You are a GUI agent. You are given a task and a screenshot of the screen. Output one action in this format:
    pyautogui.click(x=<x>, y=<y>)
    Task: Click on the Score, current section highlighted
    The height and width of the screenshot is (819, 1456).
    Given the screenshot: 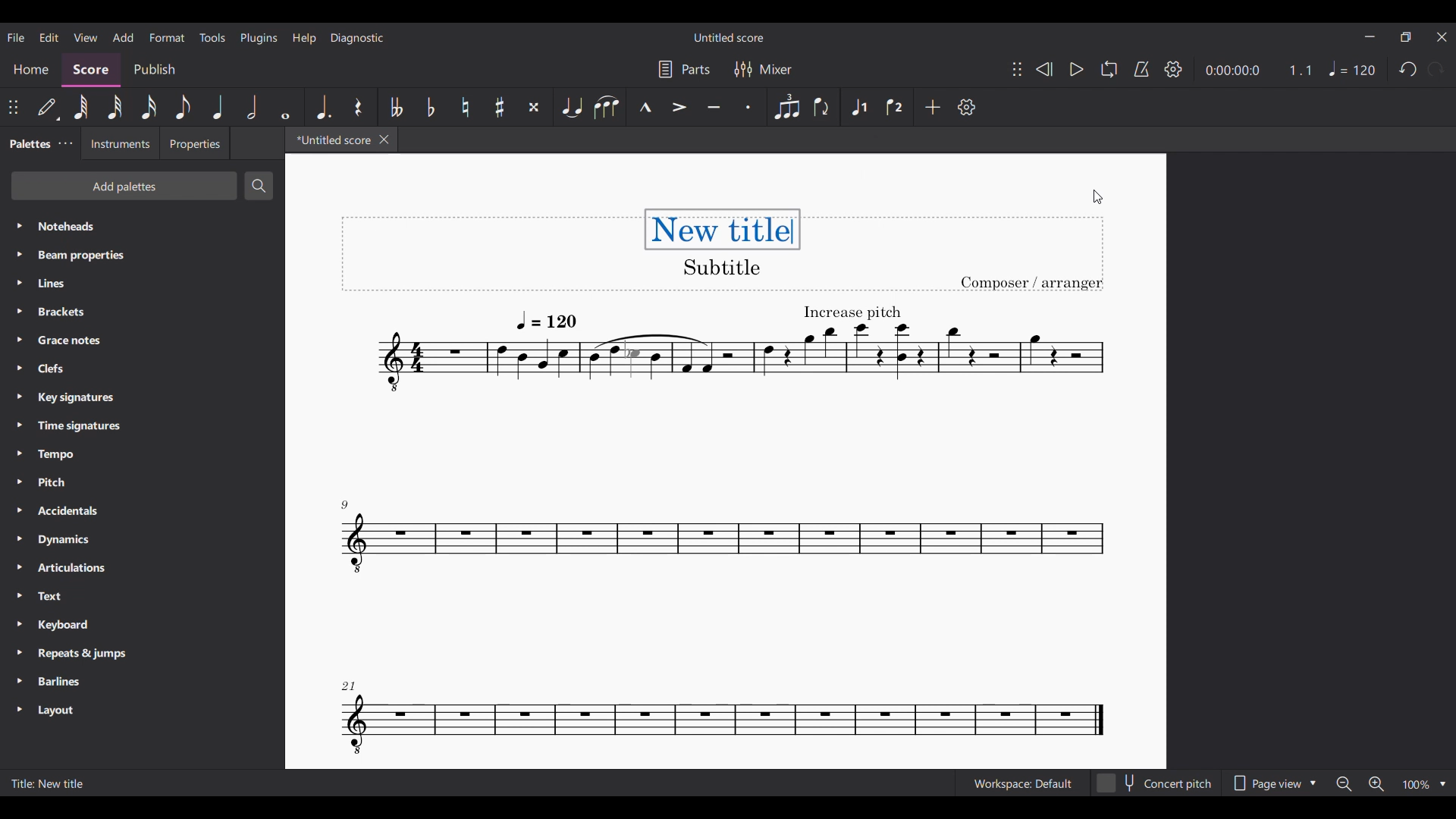 What is the action you would take?
    pyautogui.click(x=93, y=70)
    